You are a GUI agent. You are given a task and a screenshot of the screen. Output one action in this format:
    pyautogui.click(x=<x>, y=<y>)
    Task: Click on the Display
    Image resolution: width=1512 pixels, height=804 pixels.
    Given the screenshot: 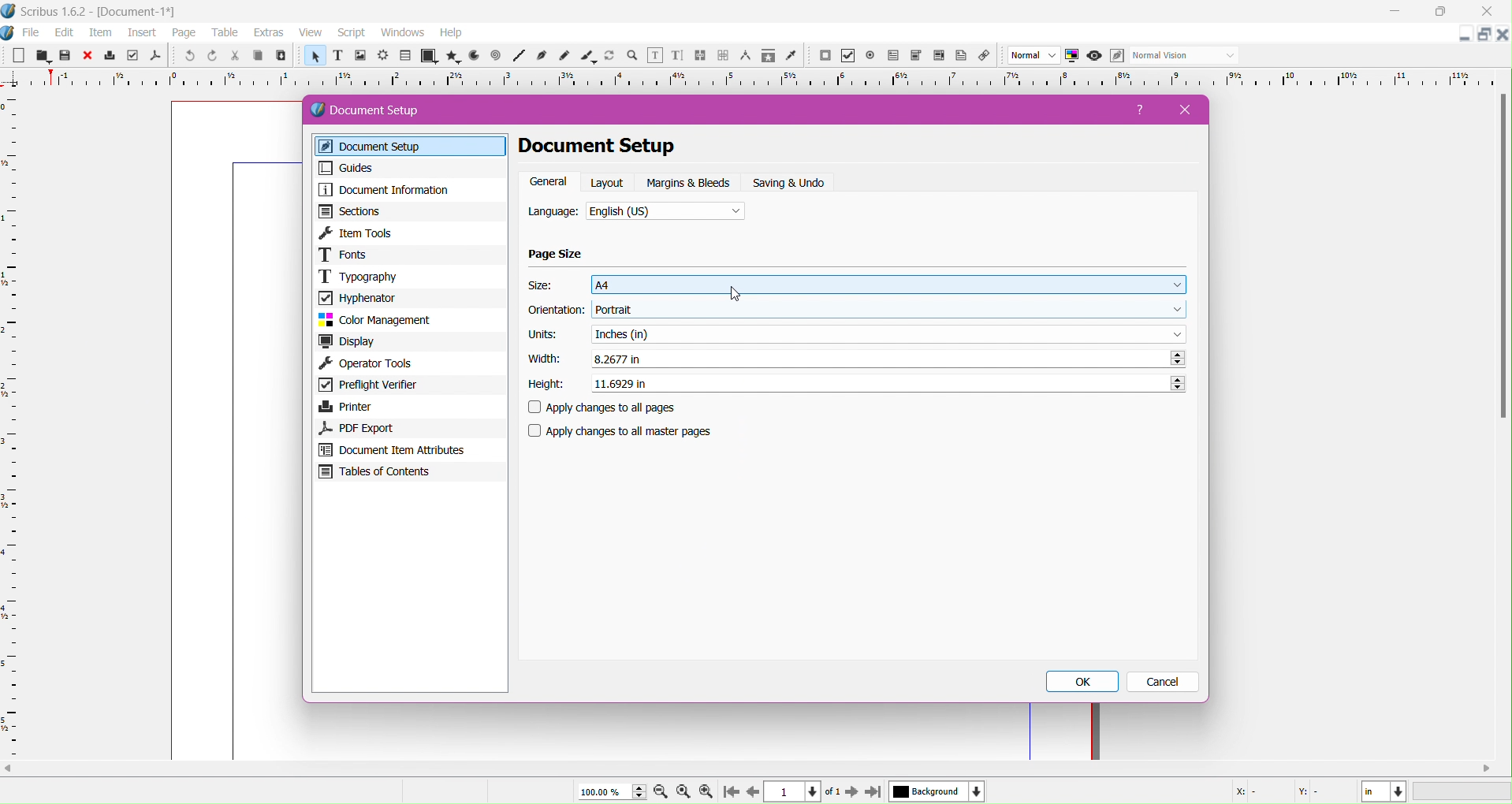 What is the action you would take?
    pyautogui.click(x=411, y=342)
    